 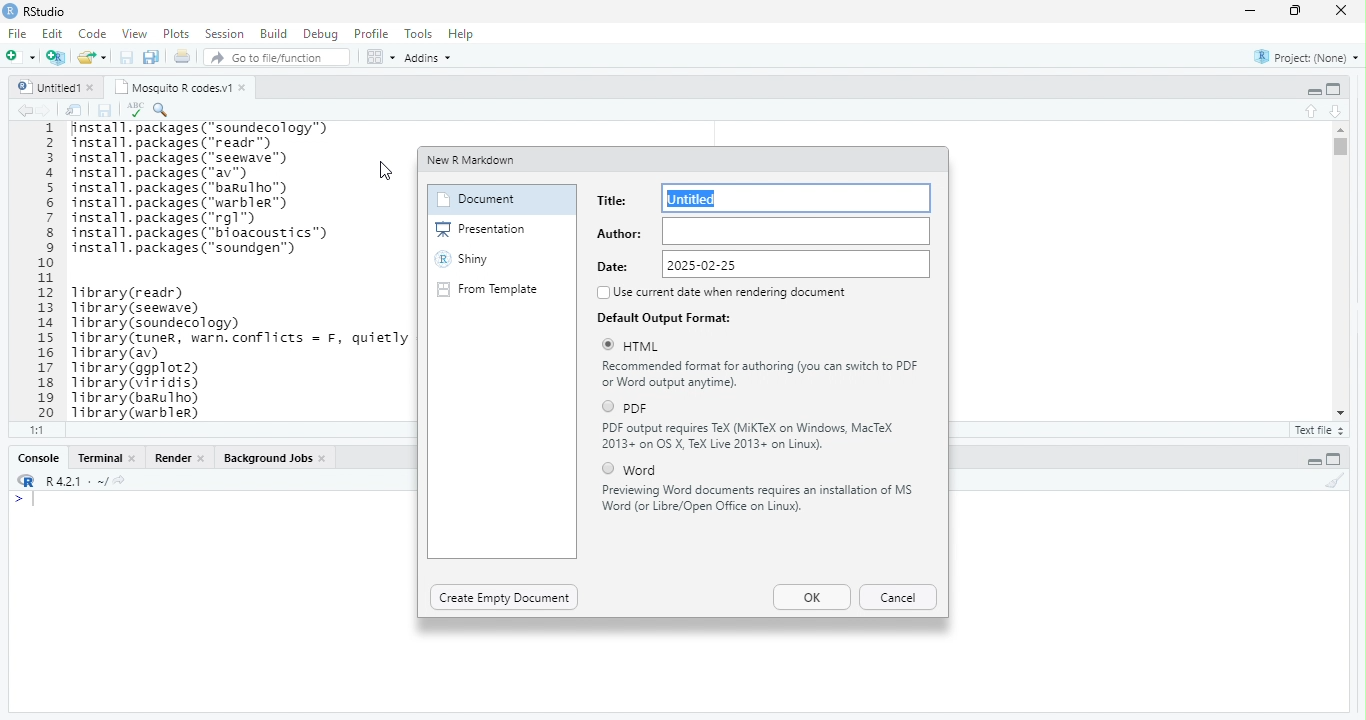 I want to click on full view, so click(x=1334, y=459).